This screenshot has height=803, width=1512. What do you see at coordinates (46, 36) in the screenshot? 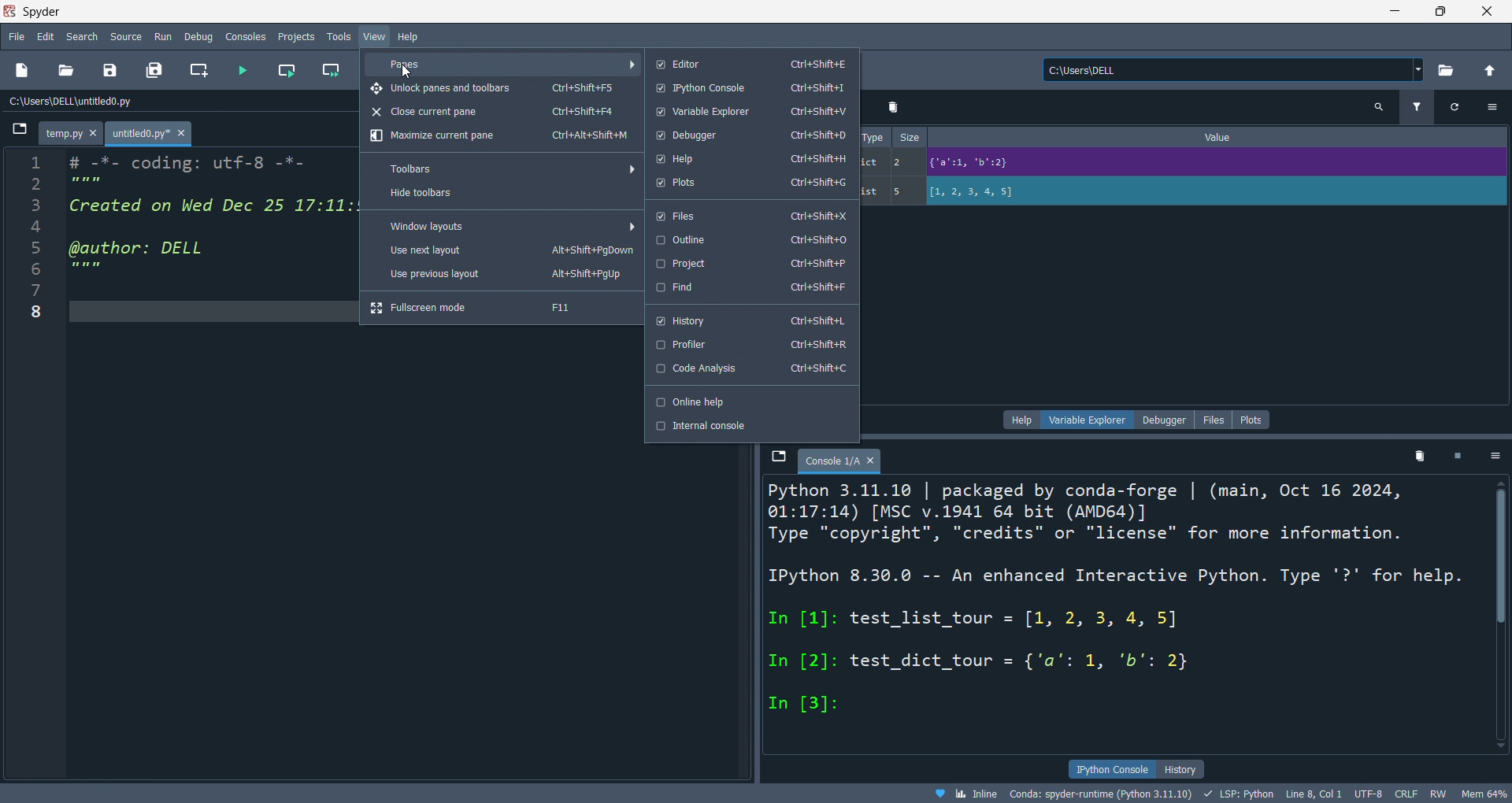
I see `edit` at bounding box center [46, 36].